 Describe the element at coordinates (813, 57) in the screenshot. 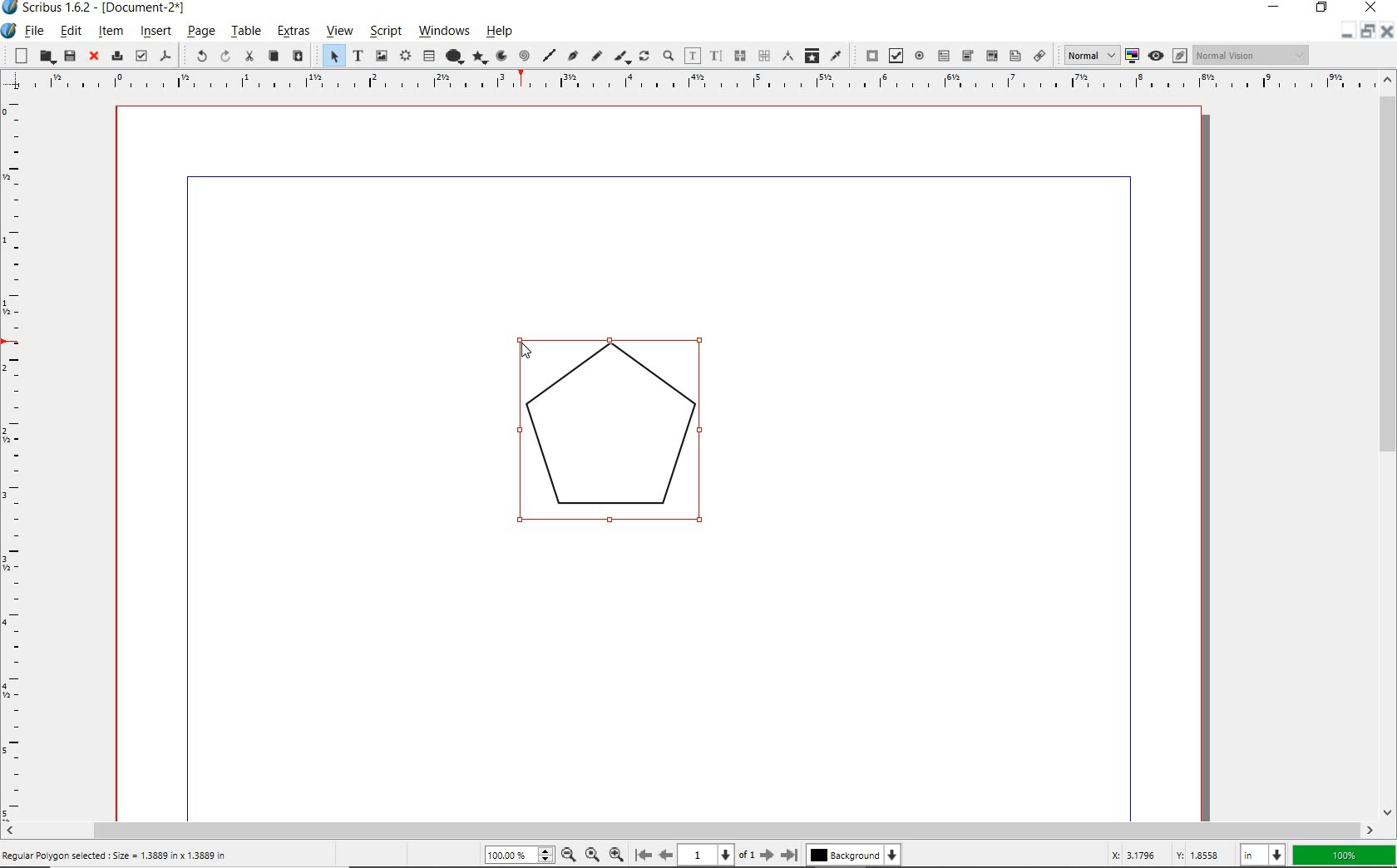

I see `copy item properties` at that location.